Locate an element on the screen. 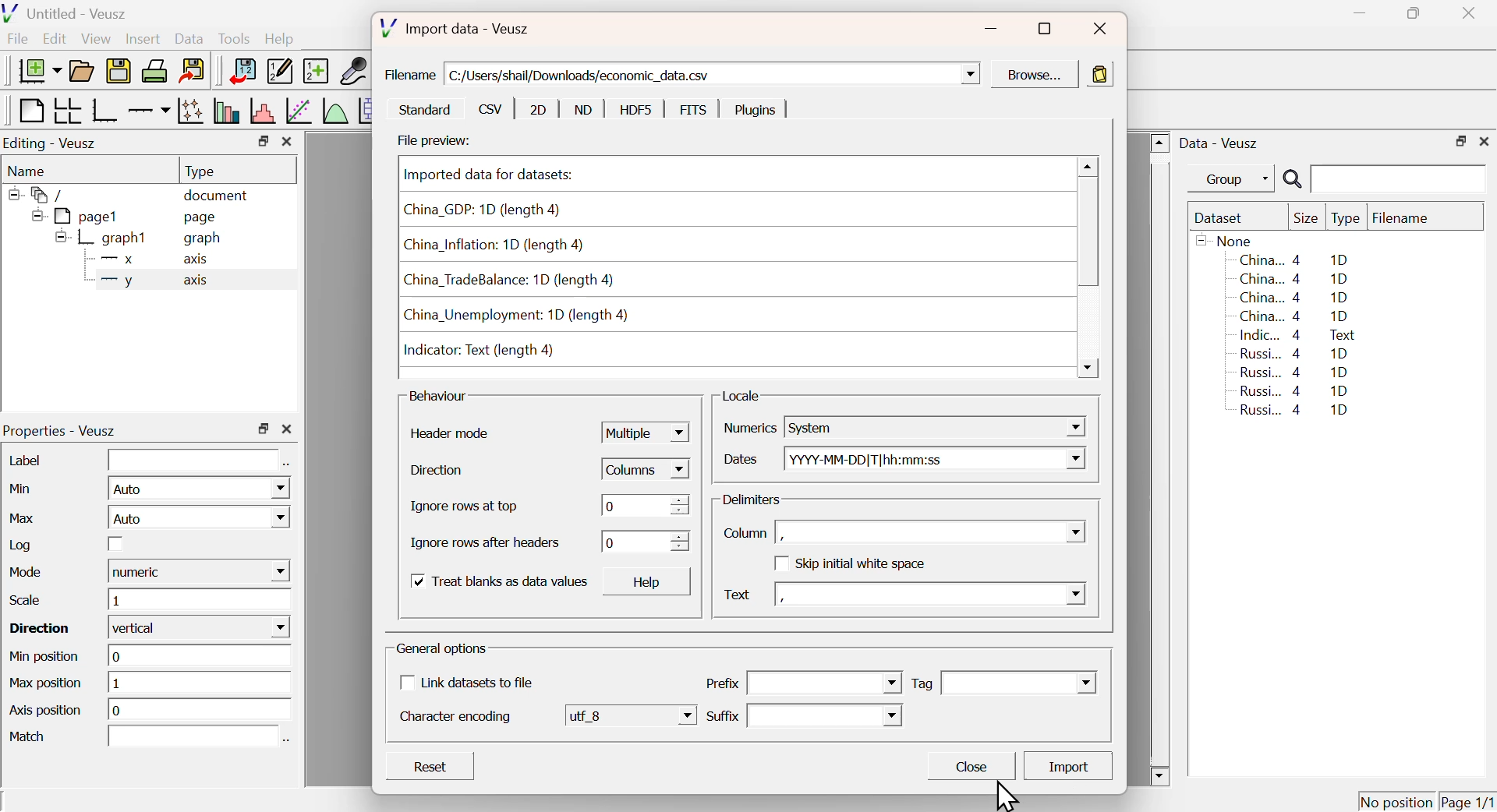 The height and width of the screenshot is (812, 1497). Search is located at coordinates (1292, 180).